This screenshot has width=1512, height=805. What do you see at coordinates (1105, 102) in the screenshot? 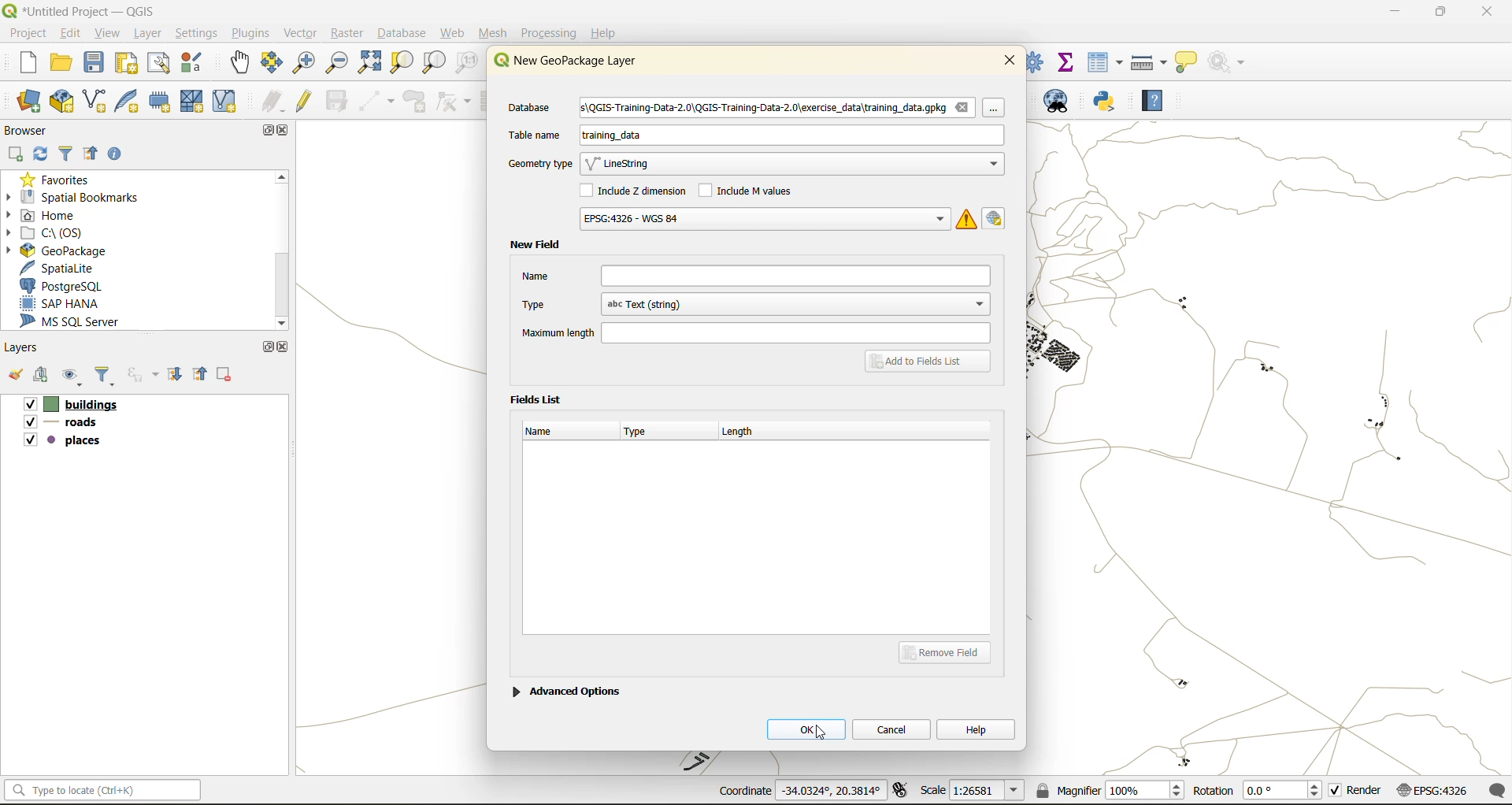
I see `python` at bounding box center [1105, 102].